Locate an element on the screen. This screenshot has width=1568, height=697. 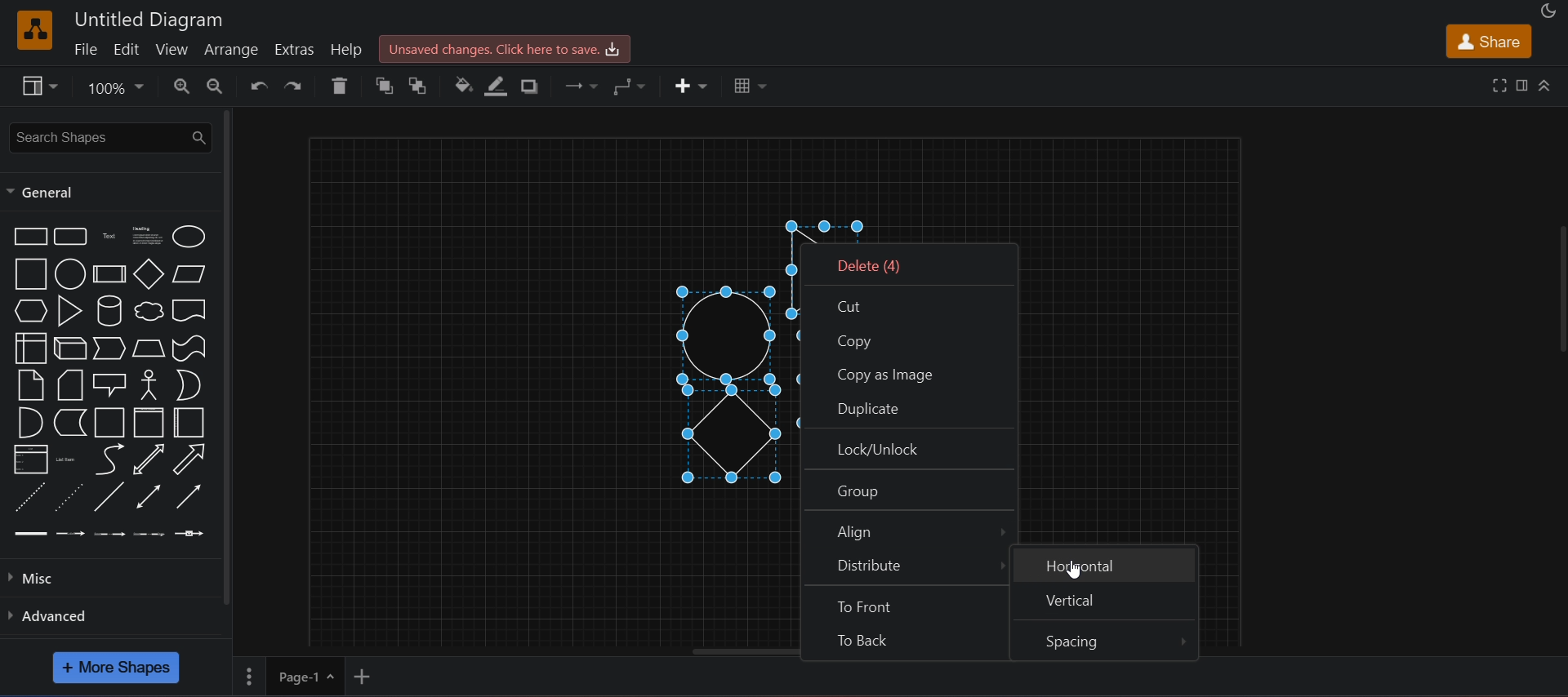
callout is located at coordinates (109, 383).